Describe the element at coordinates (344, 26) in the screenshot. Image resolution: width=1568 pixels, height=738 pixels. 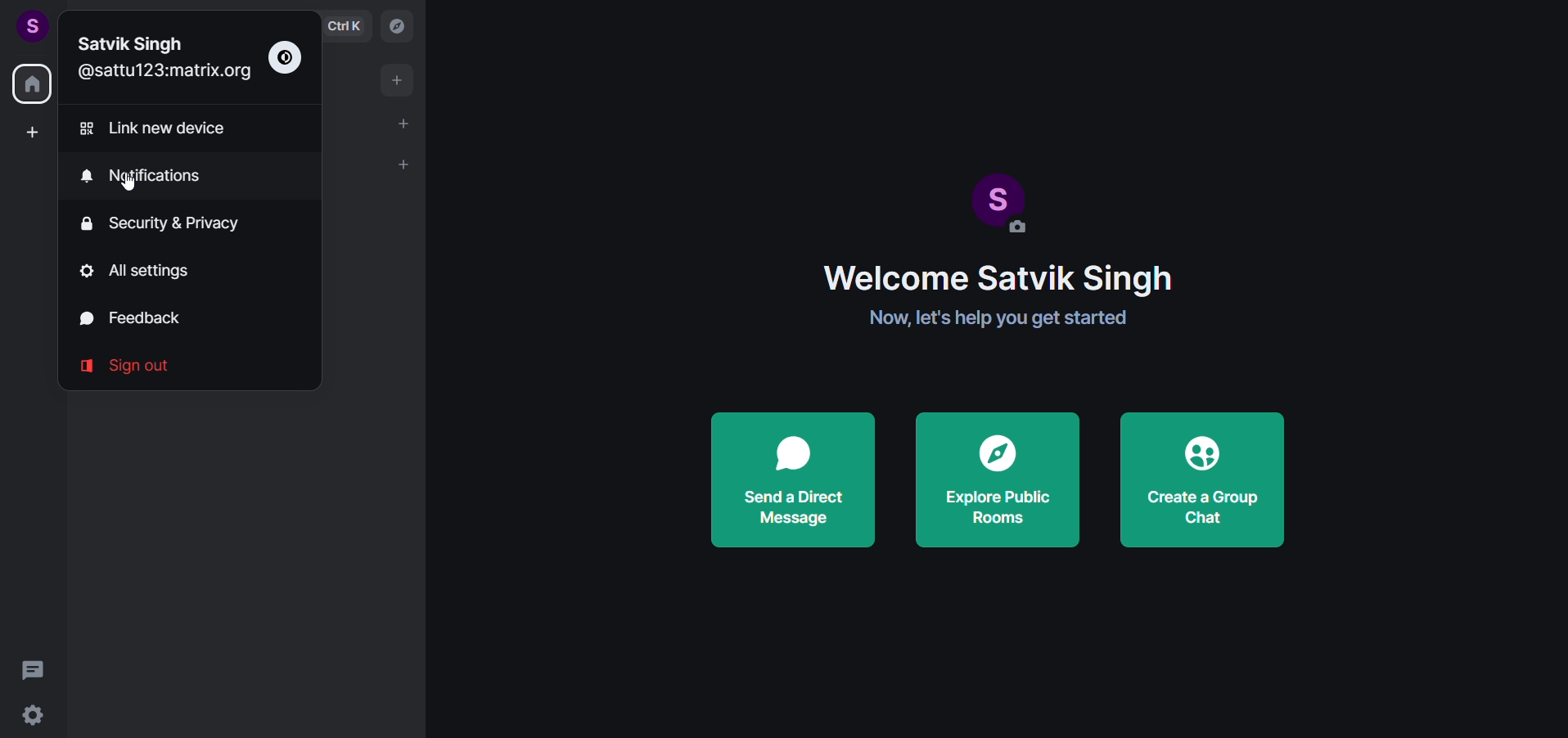
I see `ctrl k` at that location.